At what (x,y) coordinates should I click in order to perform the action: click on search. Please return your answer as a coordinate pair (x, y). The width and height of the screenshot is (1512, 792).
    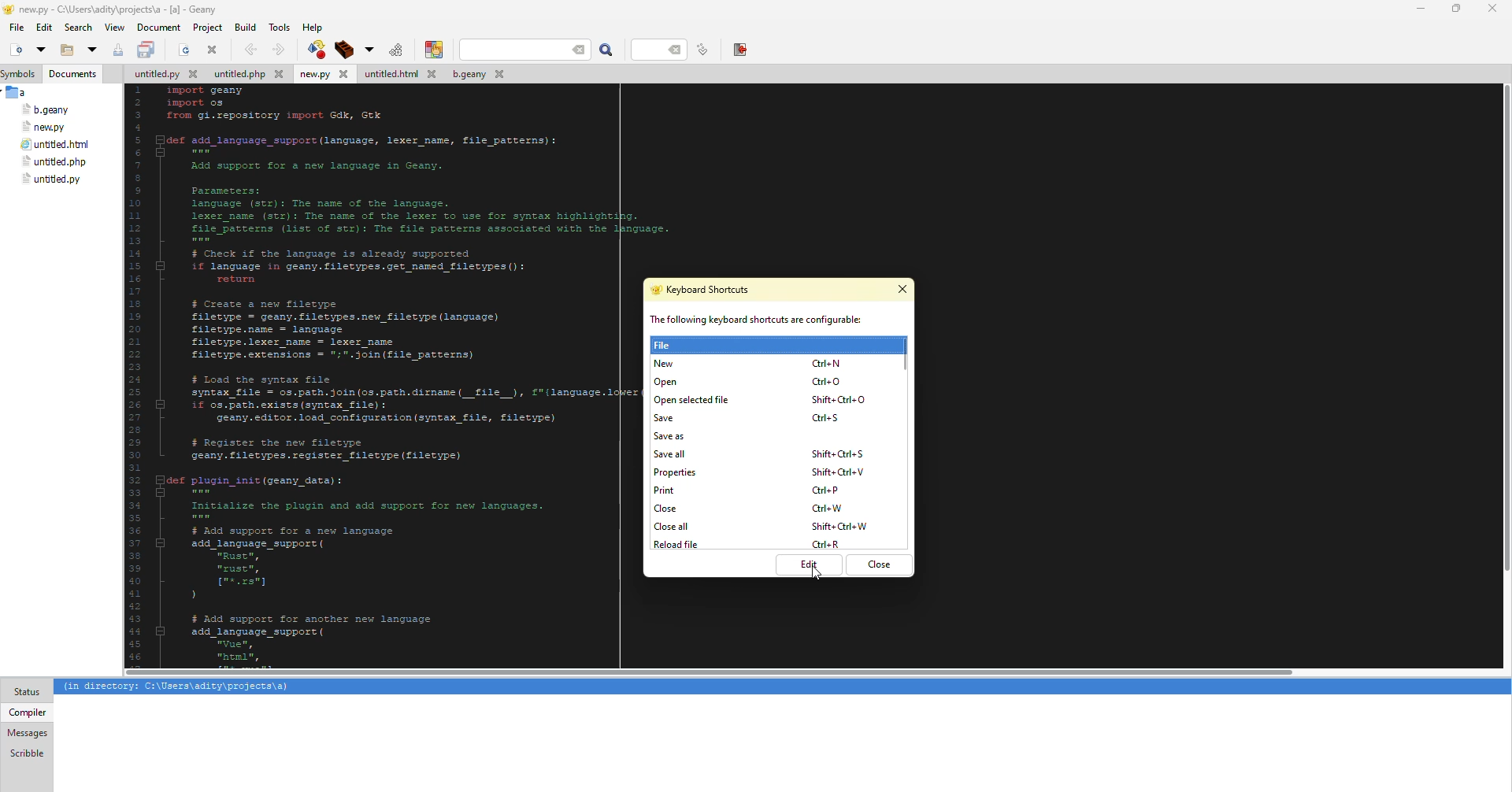
    Looking at the image, I should click on (525, 50).